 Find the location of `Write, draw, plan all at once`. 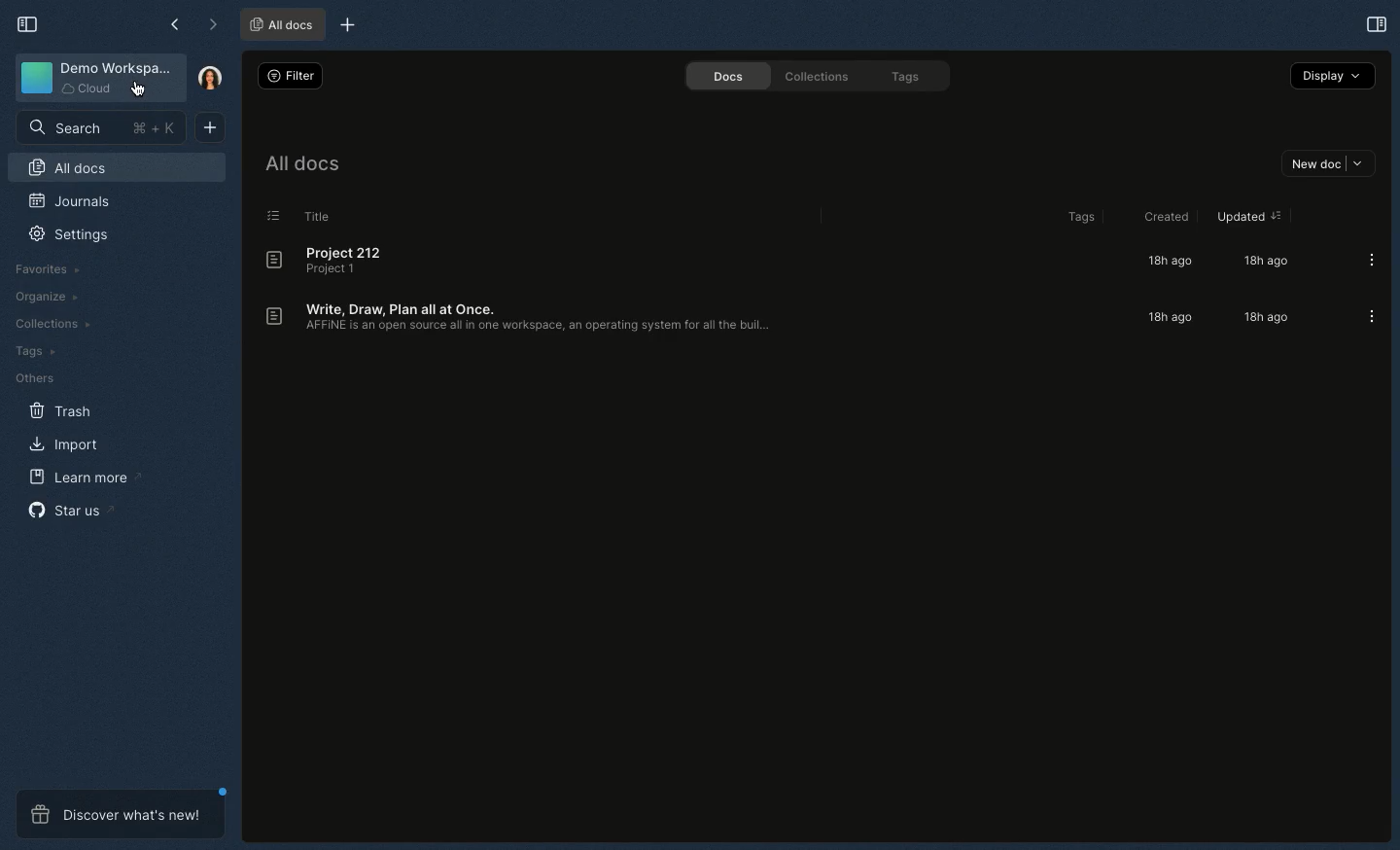

Write, draw, plan all at once is located at coordinates (515, 318).